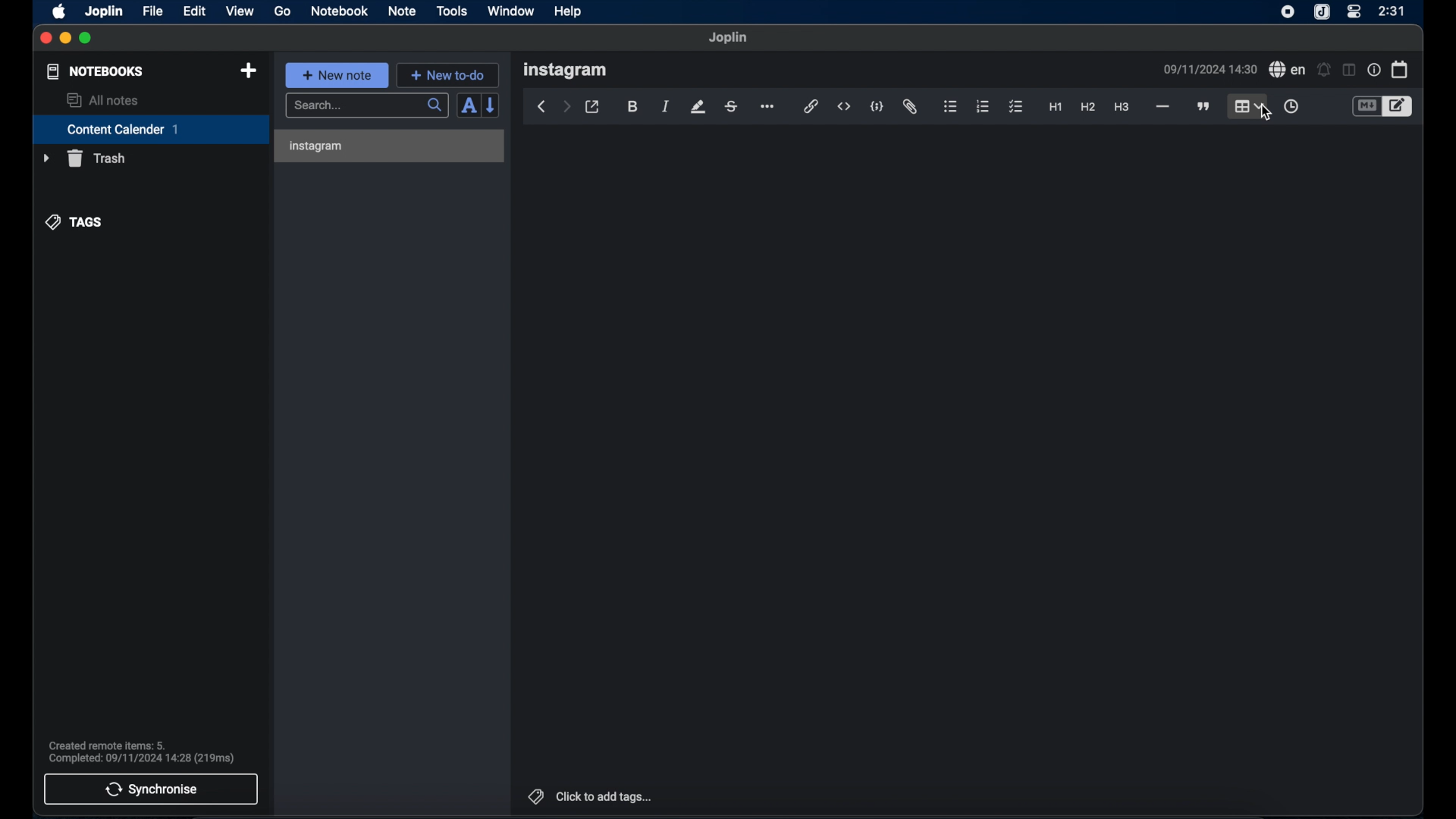 The width and height of the screenshot is (1456, 819). I want to click on new notebook, so click(249, 71).